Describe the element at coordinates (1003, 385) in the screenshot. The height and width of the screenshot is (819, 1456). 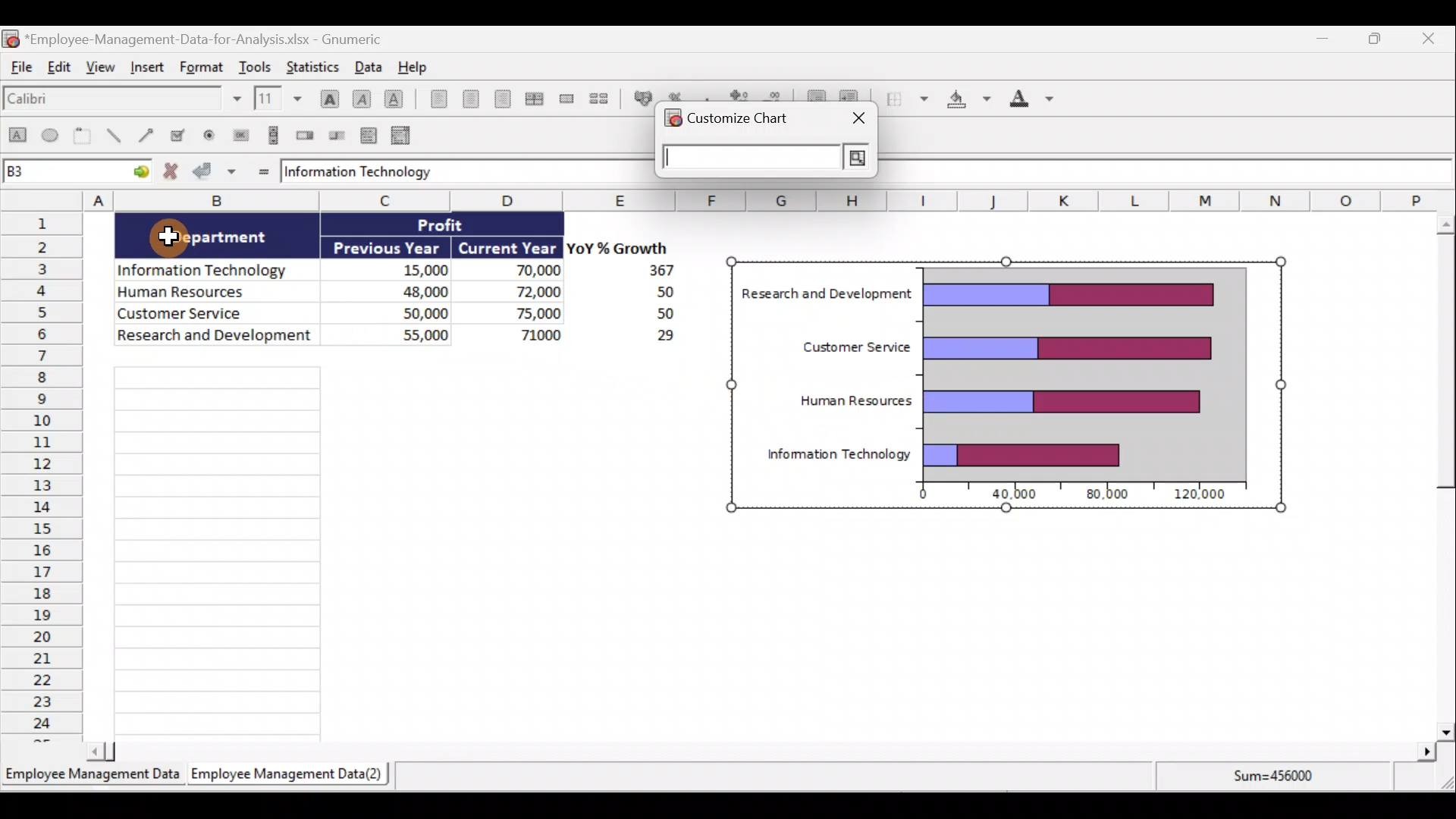
I see `Chart` at that location.